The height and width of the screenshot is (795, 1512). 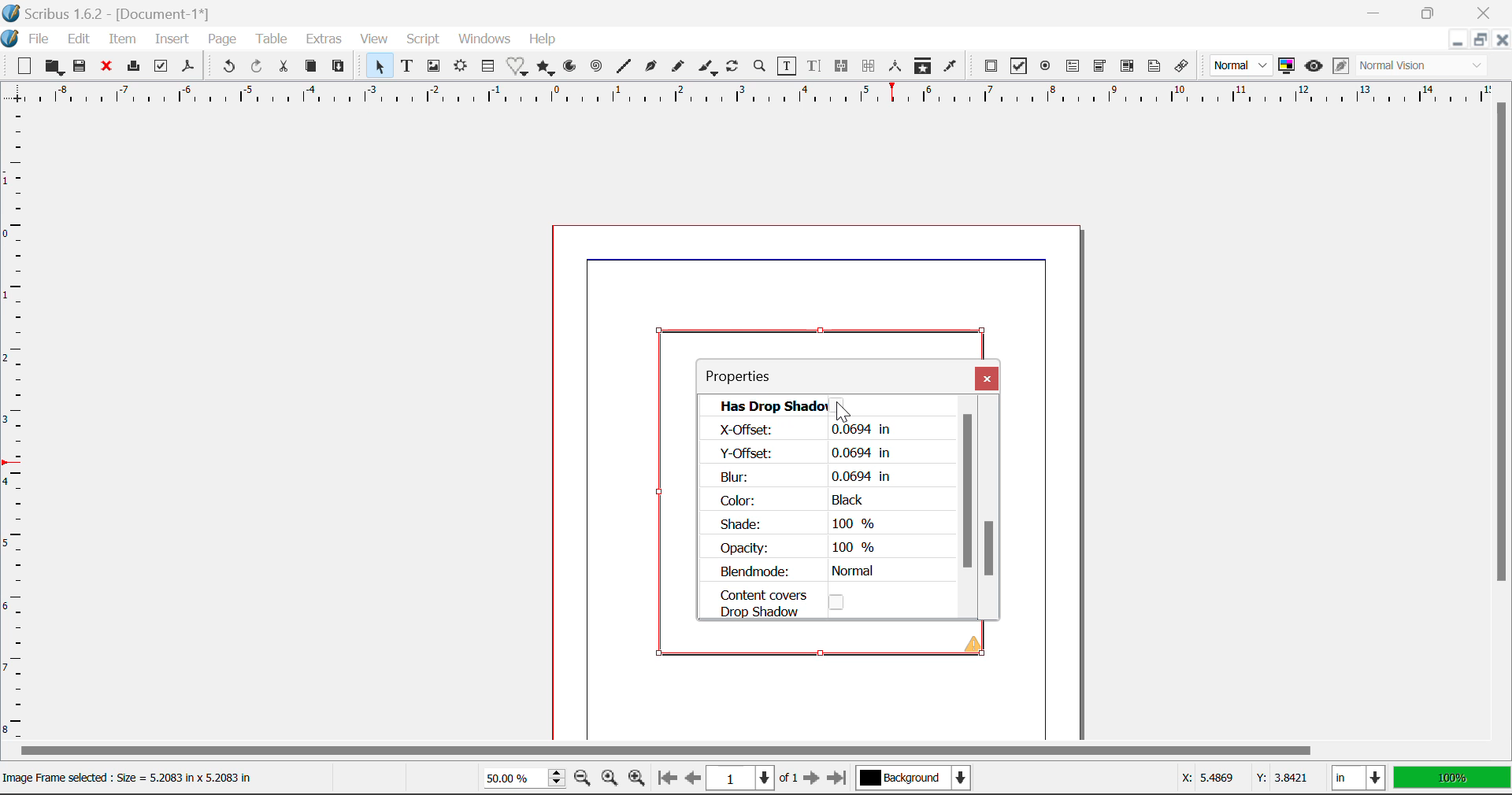 What do you see at coordinates (1184, 68) in the screenshot?
I see `Link Annotation` at bounding box center [1184, 68].